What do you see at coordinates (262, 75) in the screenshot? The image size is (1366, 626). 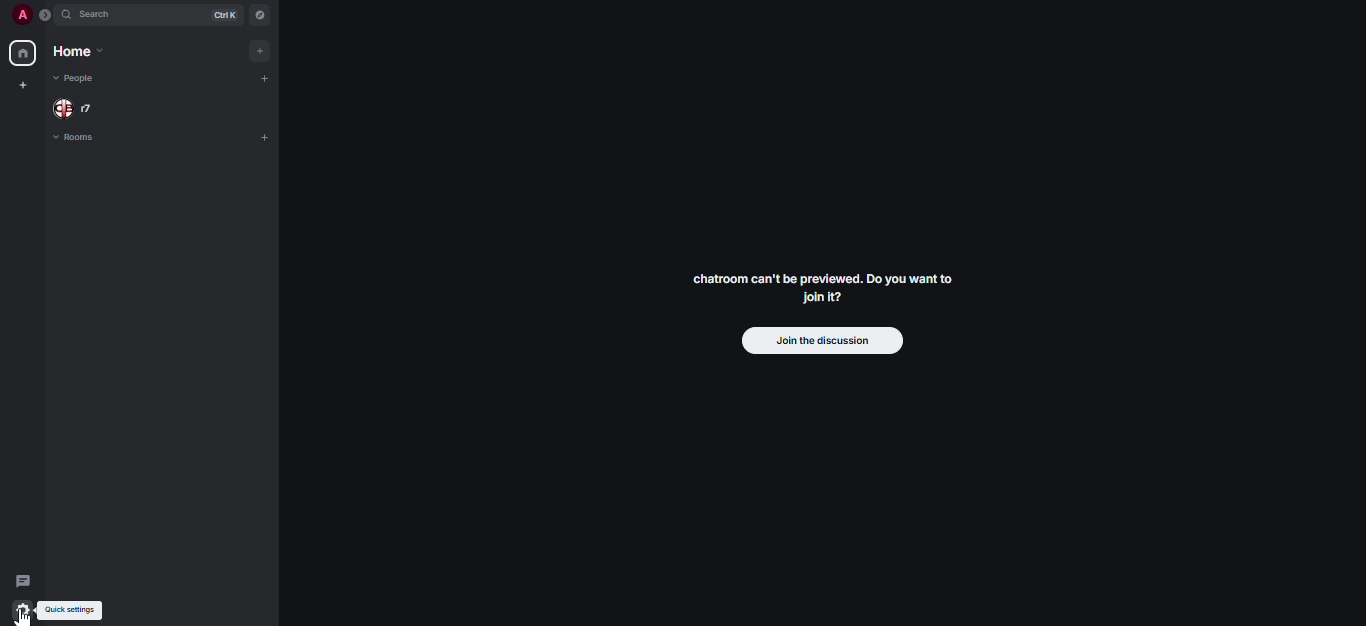 I see `add` at bounding box center [262, 75].